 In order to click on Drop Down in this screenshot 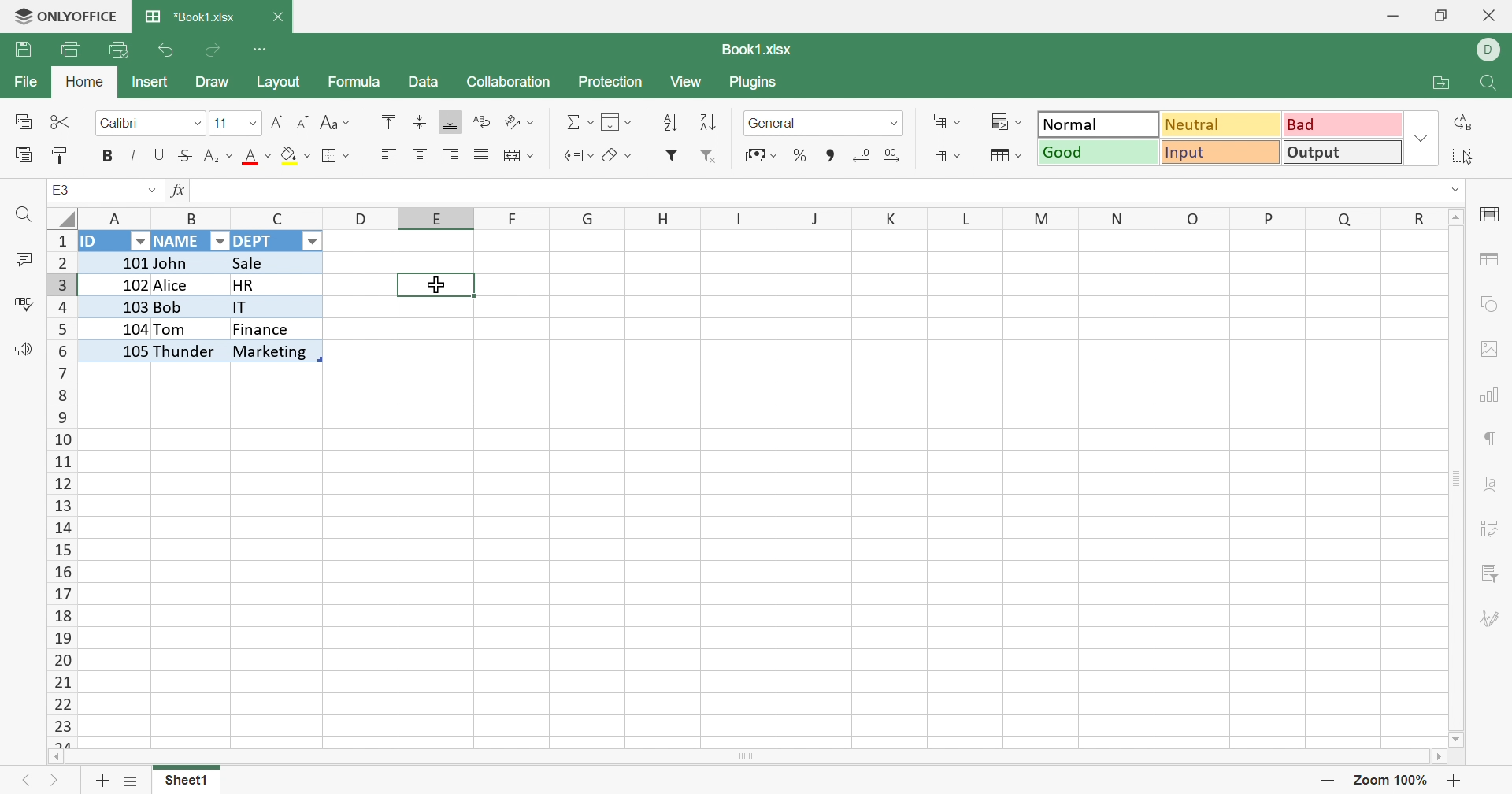, I will do `click(137, 240)`.